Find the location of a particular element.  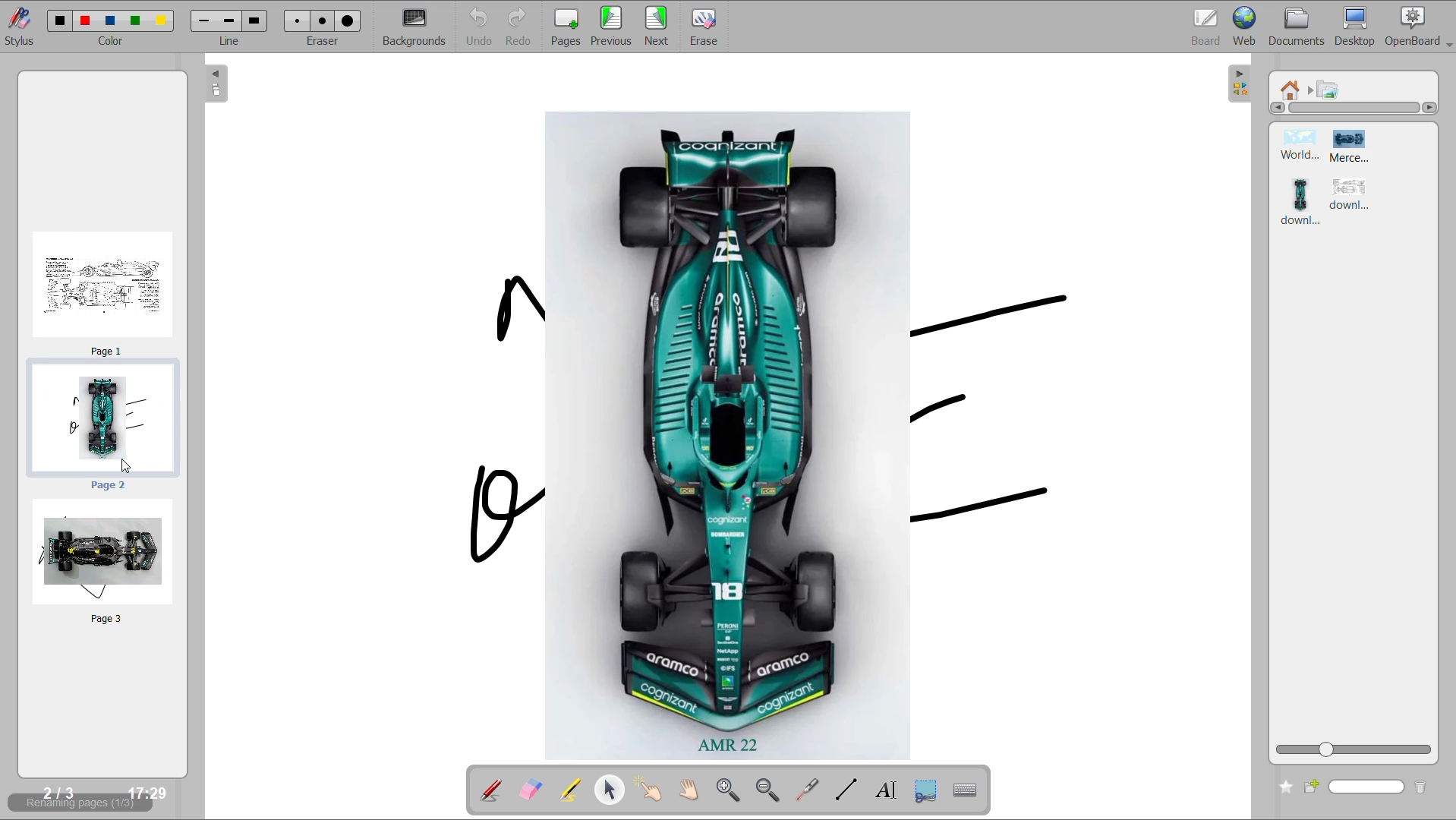

Large line is located at coordinates (257, 19).